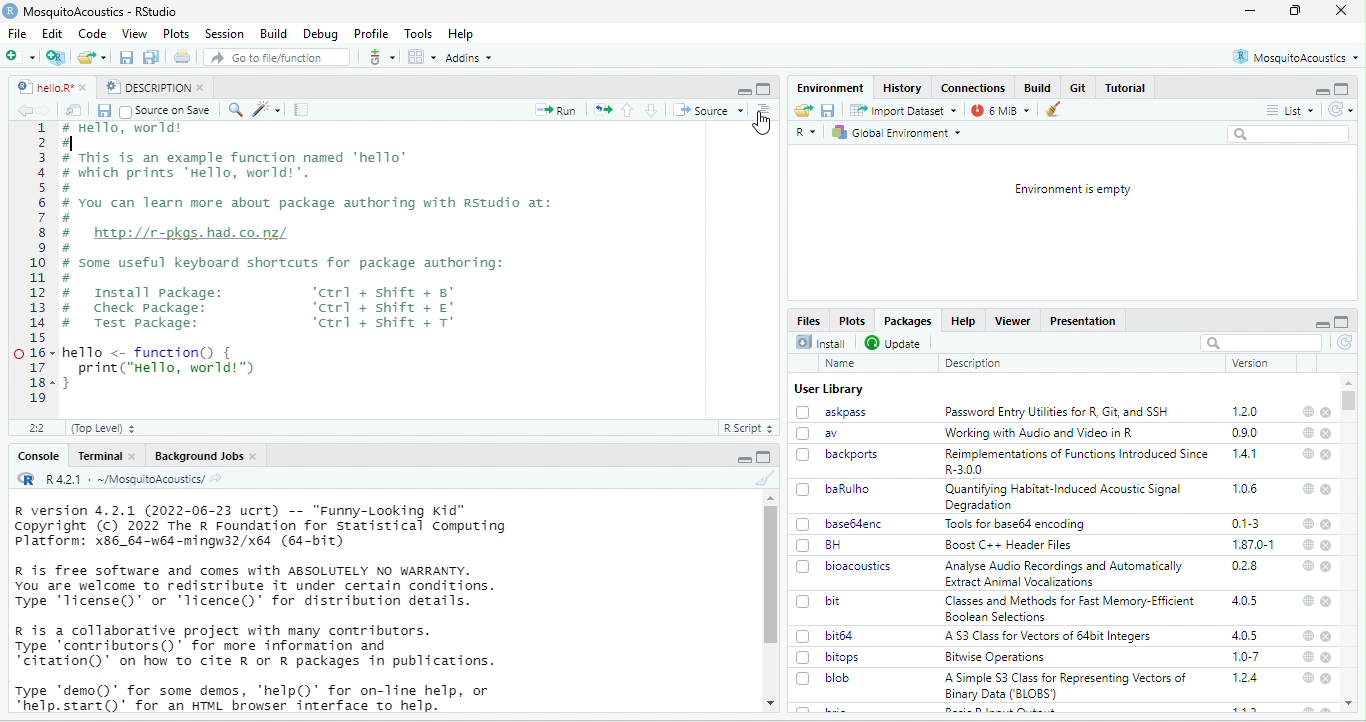 This screenshot has height=722, width=1366. What do you see at coordinates (237, 110) in the screenshot?
I see `find` at bounding box center [237, 110].